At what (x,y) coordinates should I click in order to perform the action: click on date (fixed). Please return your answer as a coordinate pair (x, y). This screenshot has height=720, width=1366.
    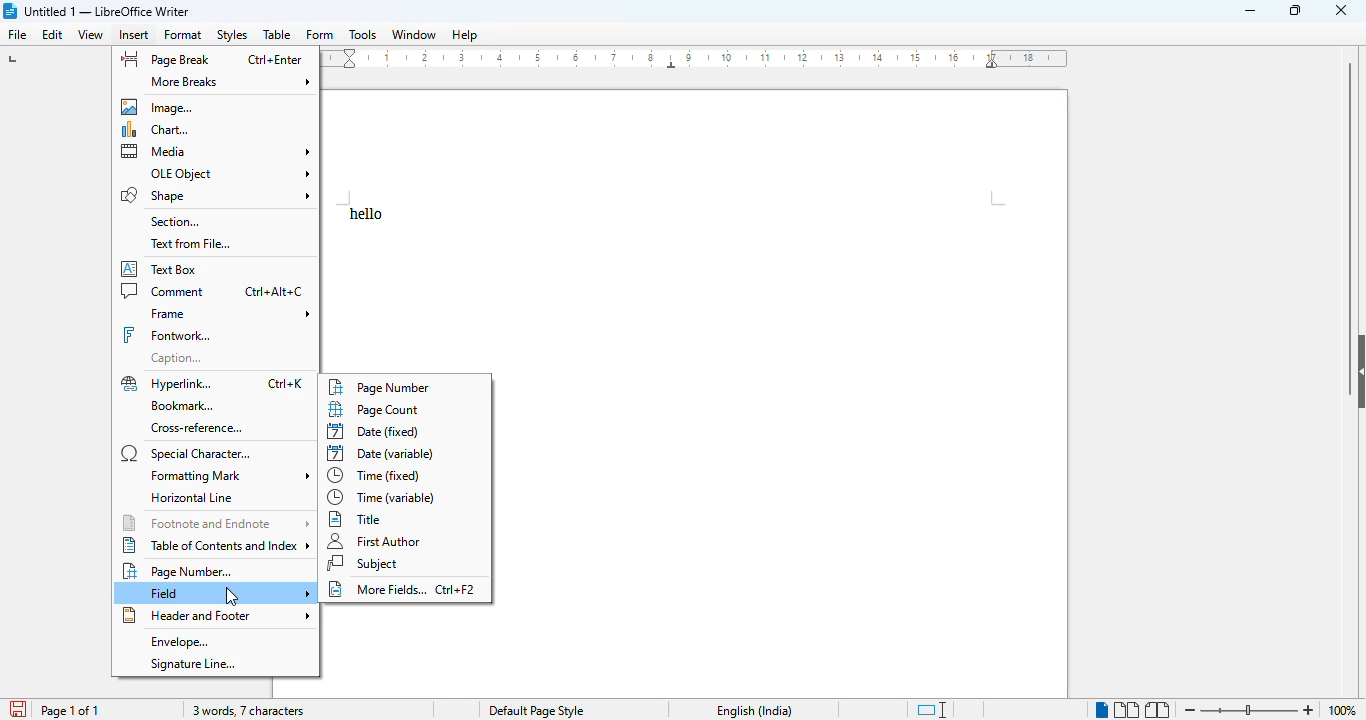
    Looking at the image, I should click on (373, 432).